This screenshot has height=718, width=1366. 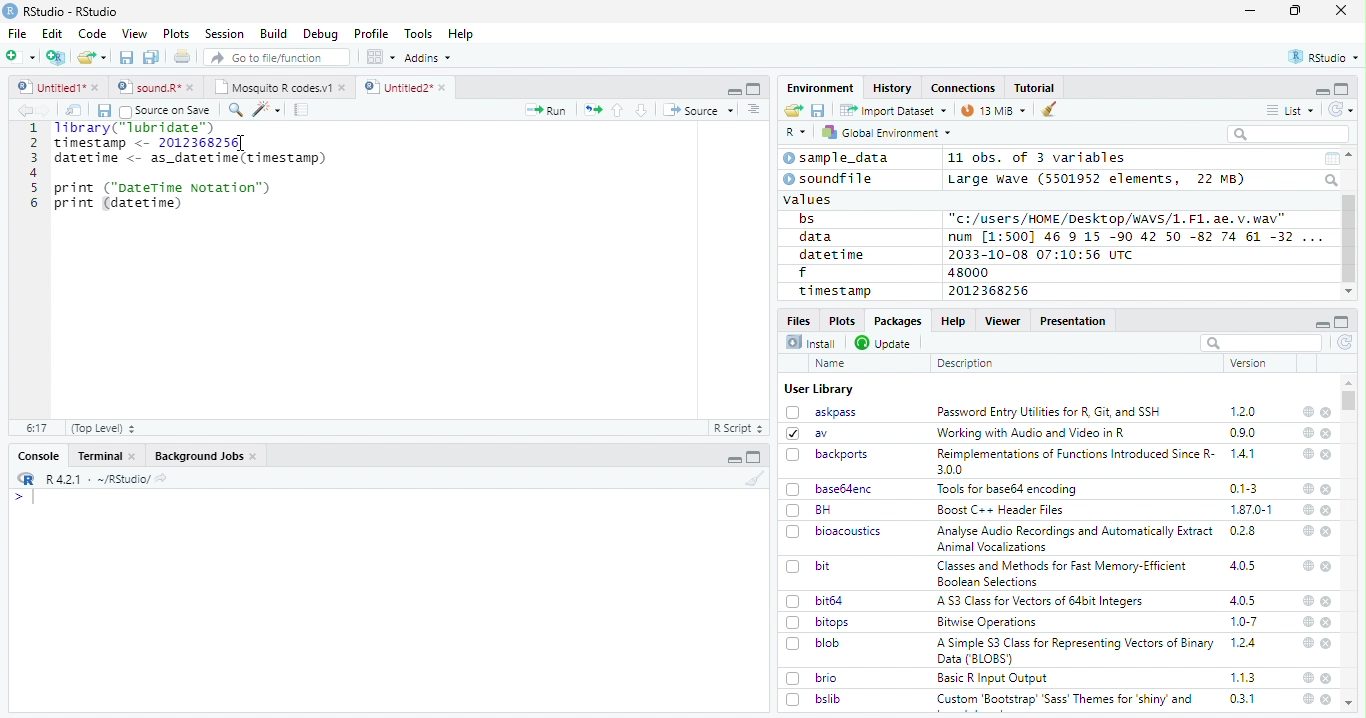 What do you see at coordinates (1242, 566) in the screenshot?
I see `4.0.5` at bounding box center [1242, 566].